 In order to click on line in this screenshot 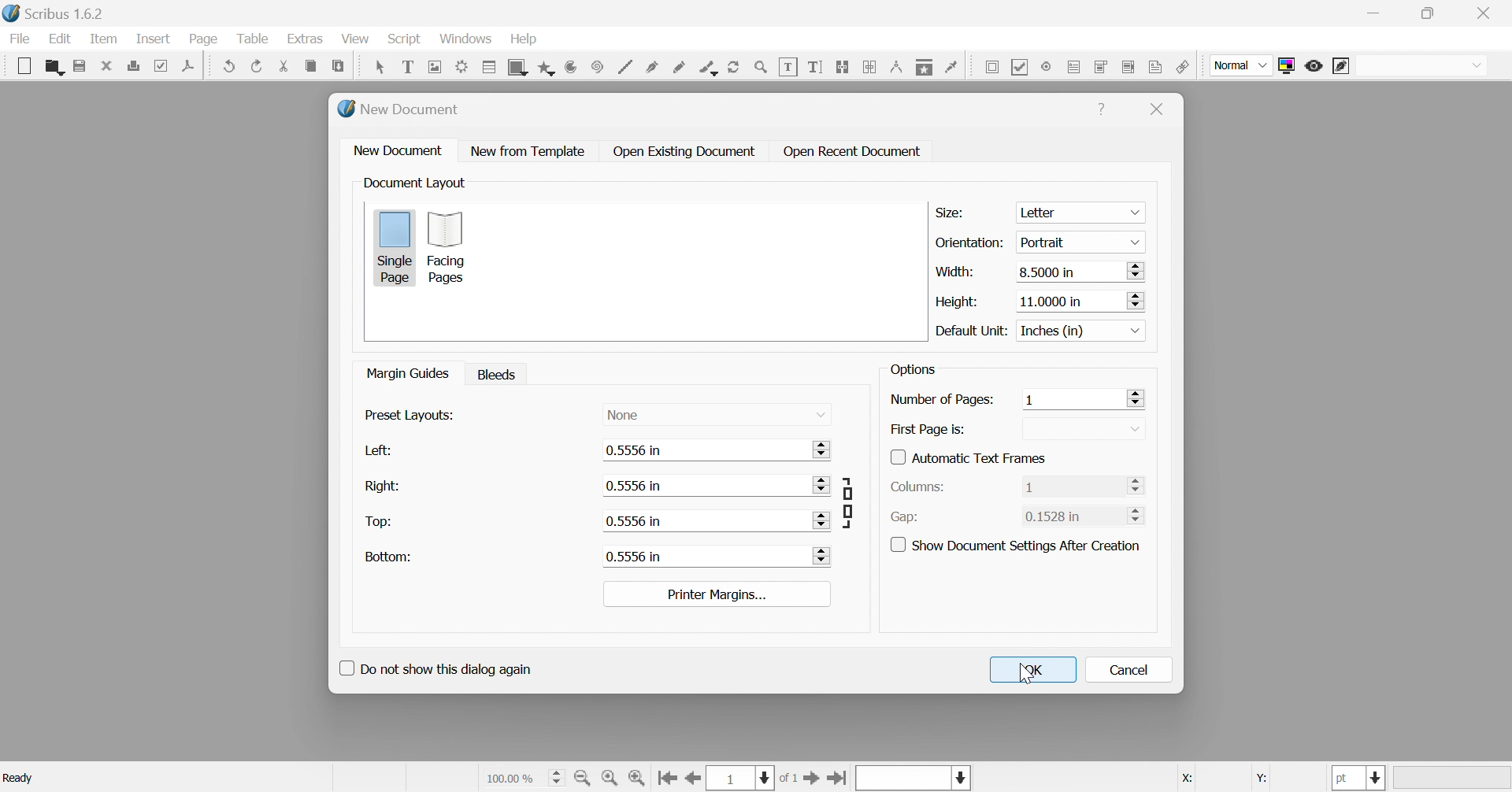, I will do `click(627, 67)`.